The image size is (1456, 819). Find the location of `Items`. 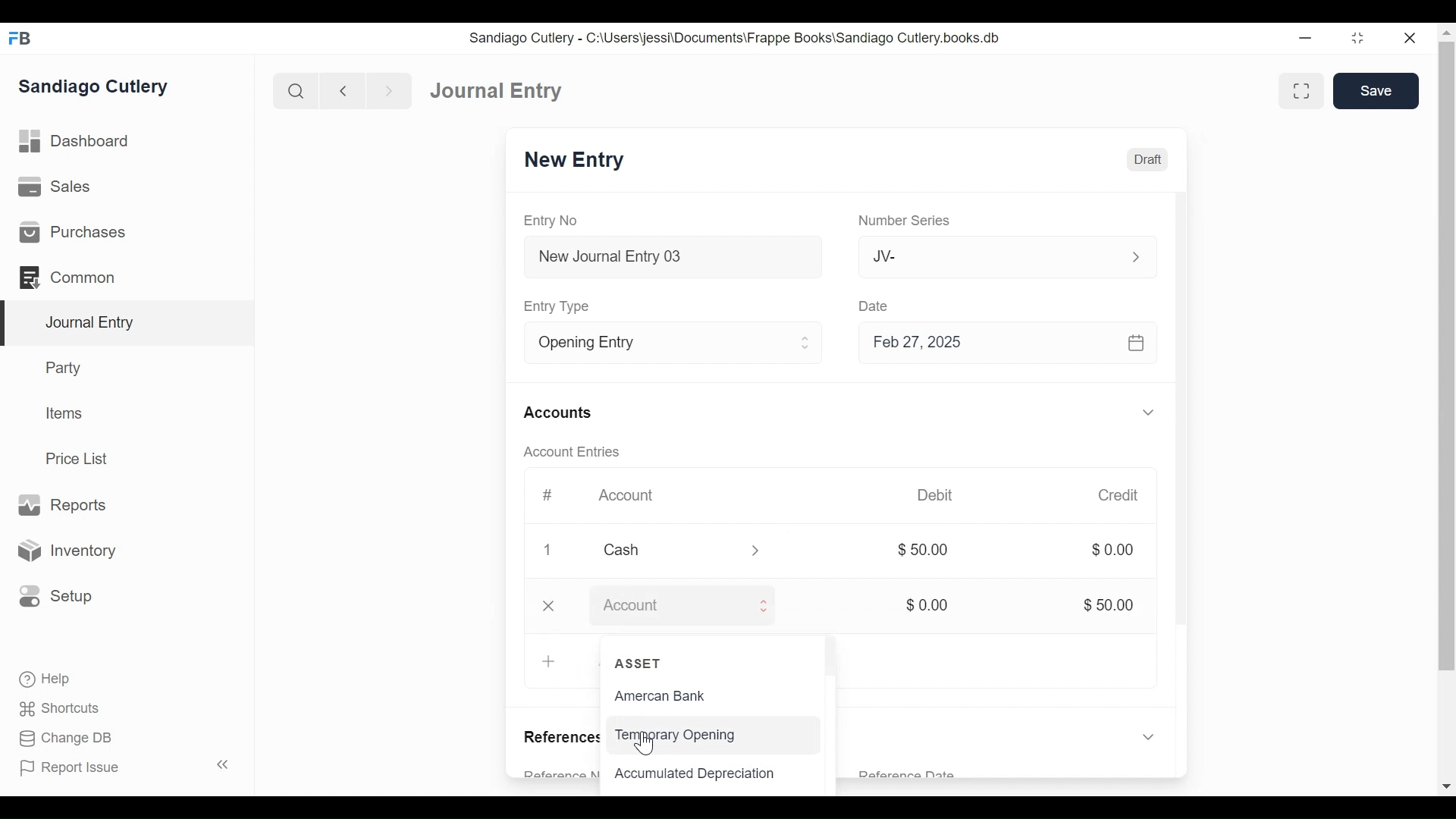

Items is located at coordinates (62, 413).